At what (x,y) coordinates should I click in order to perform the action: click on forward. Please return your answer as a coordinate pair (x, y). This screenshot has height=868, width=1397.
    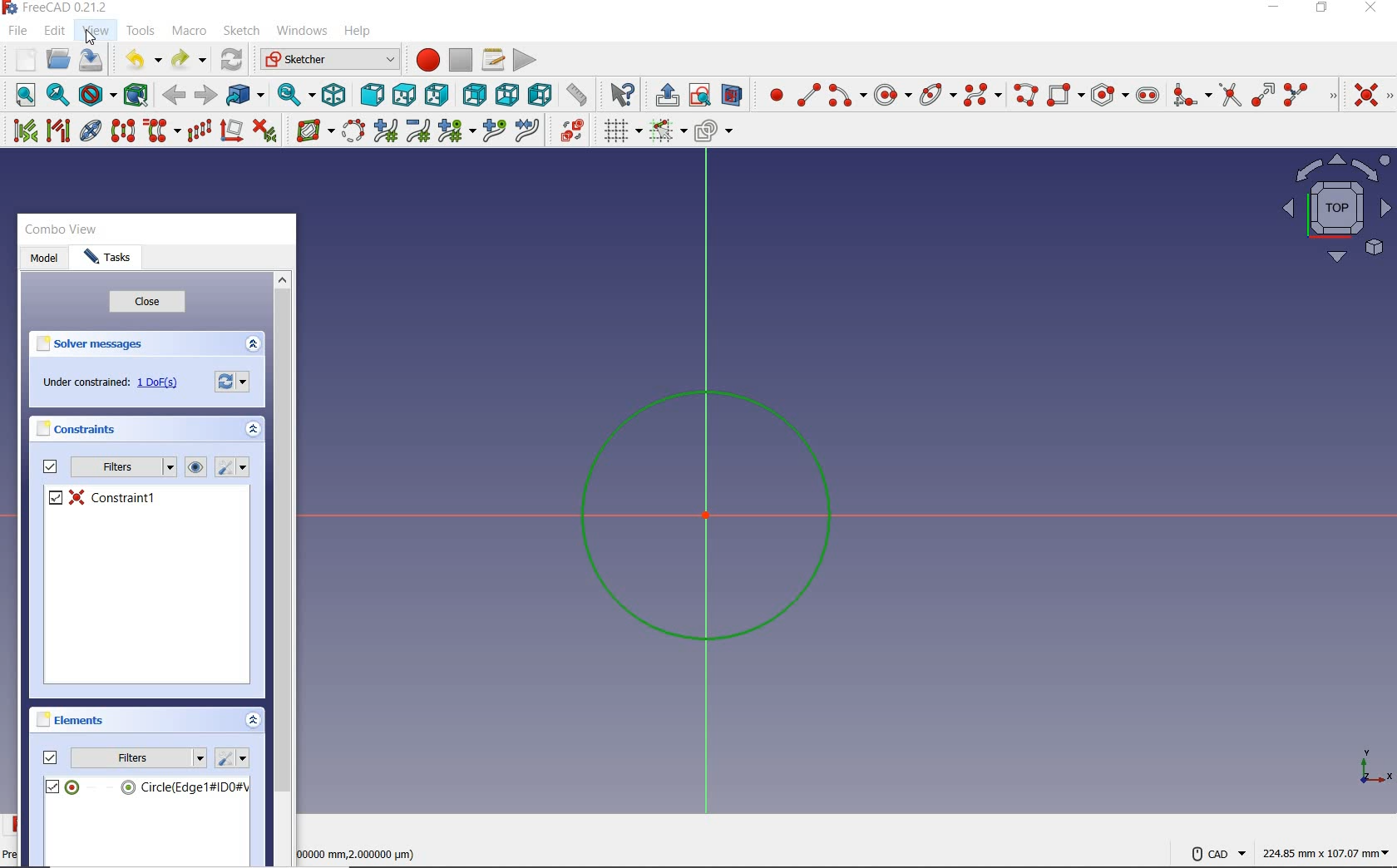
    Looking at the image, I should click on (206, 96).